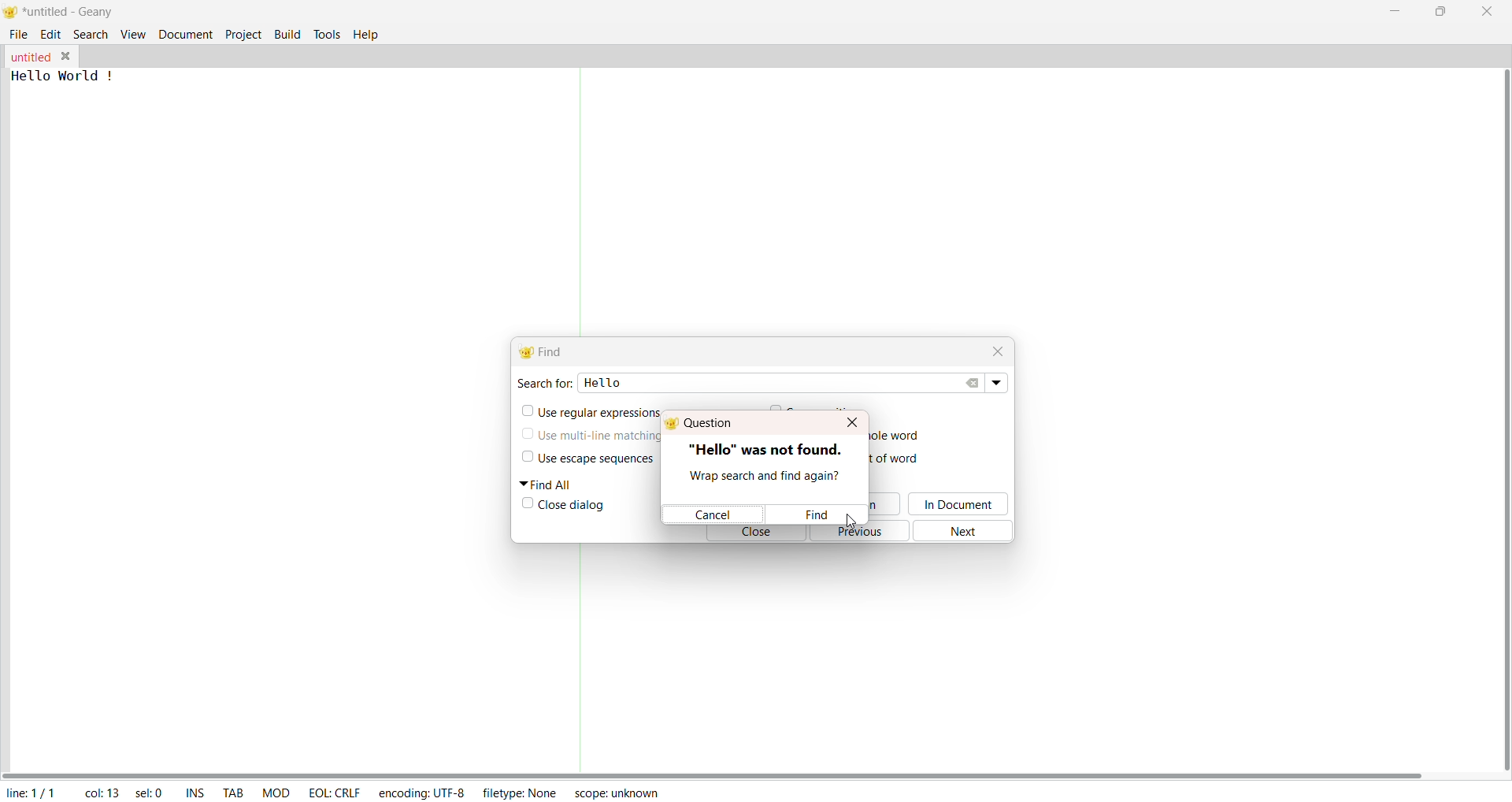 The image size is (1512, 802). I want to click on Vertical Horizontal Bar, so click(1492, 411).